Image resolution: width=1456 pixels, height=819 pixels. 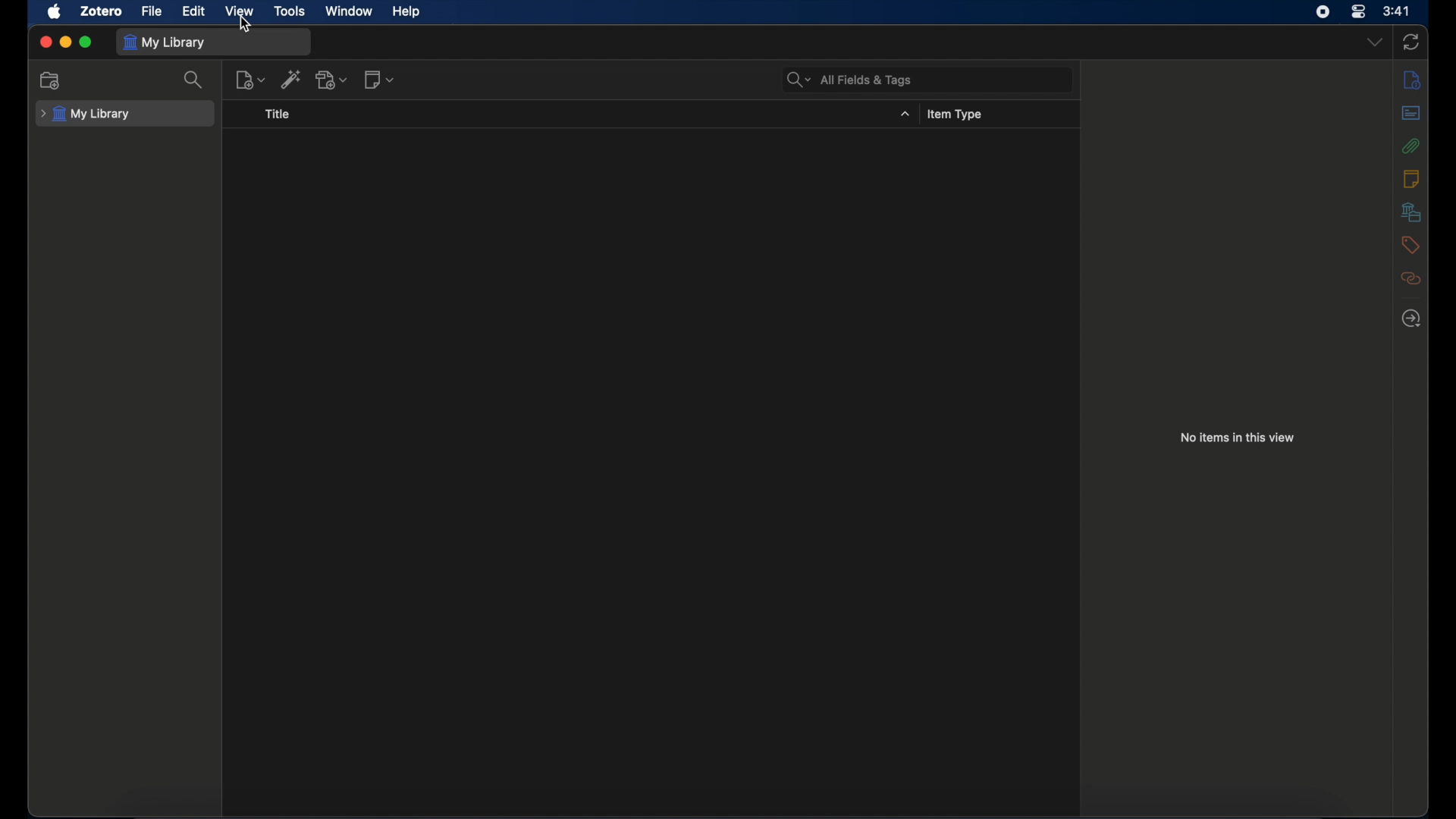 I want to click on notes, so click(x=1411, y=179).